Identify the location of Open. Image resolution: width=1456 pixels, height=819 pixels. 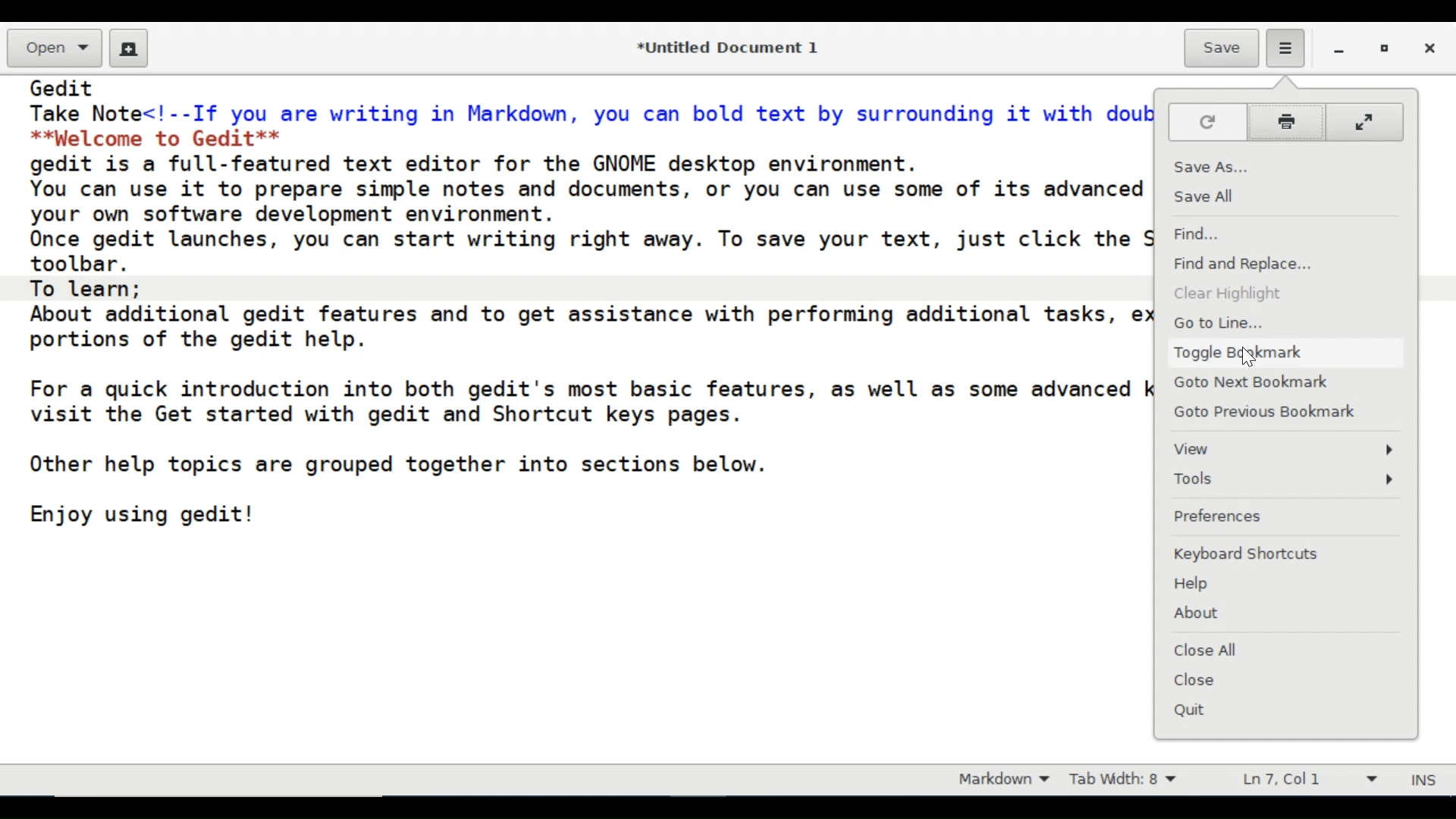
(53, 49).